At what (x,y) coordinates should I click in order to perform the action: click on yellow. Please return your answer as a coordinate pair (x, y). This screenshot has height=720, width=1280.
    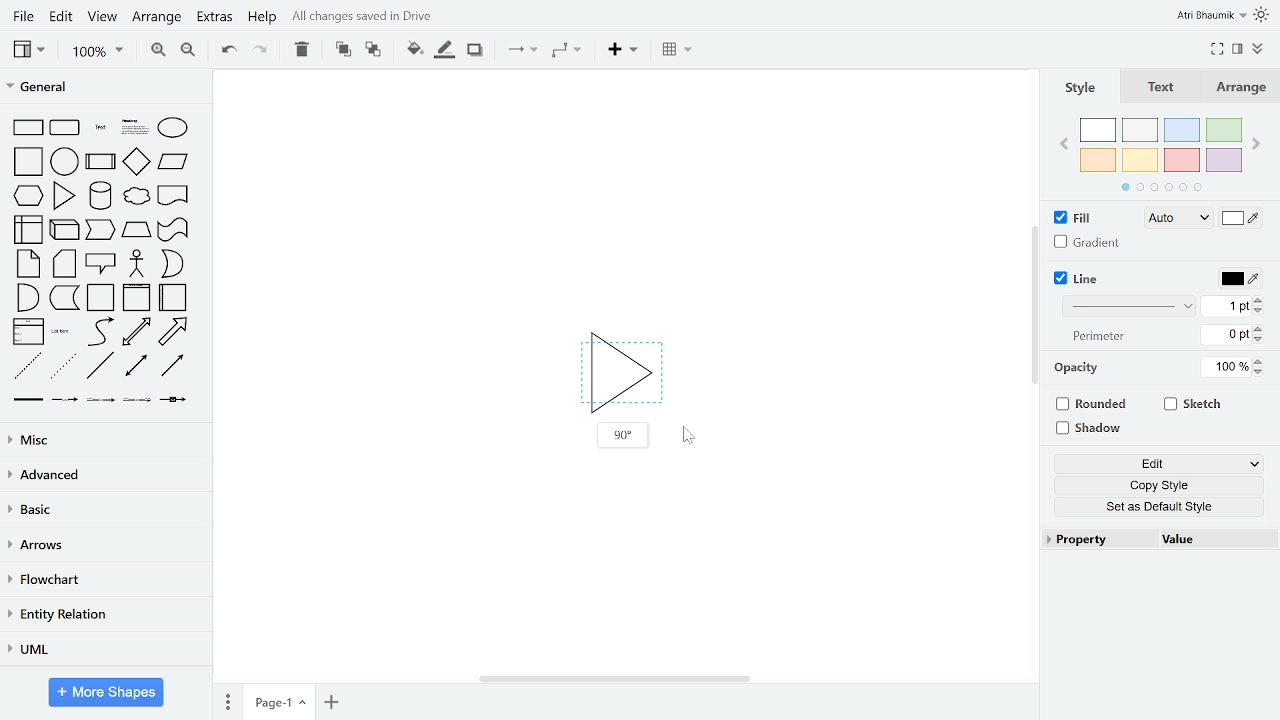
    Looking at the image, I should click on (1141, 161).